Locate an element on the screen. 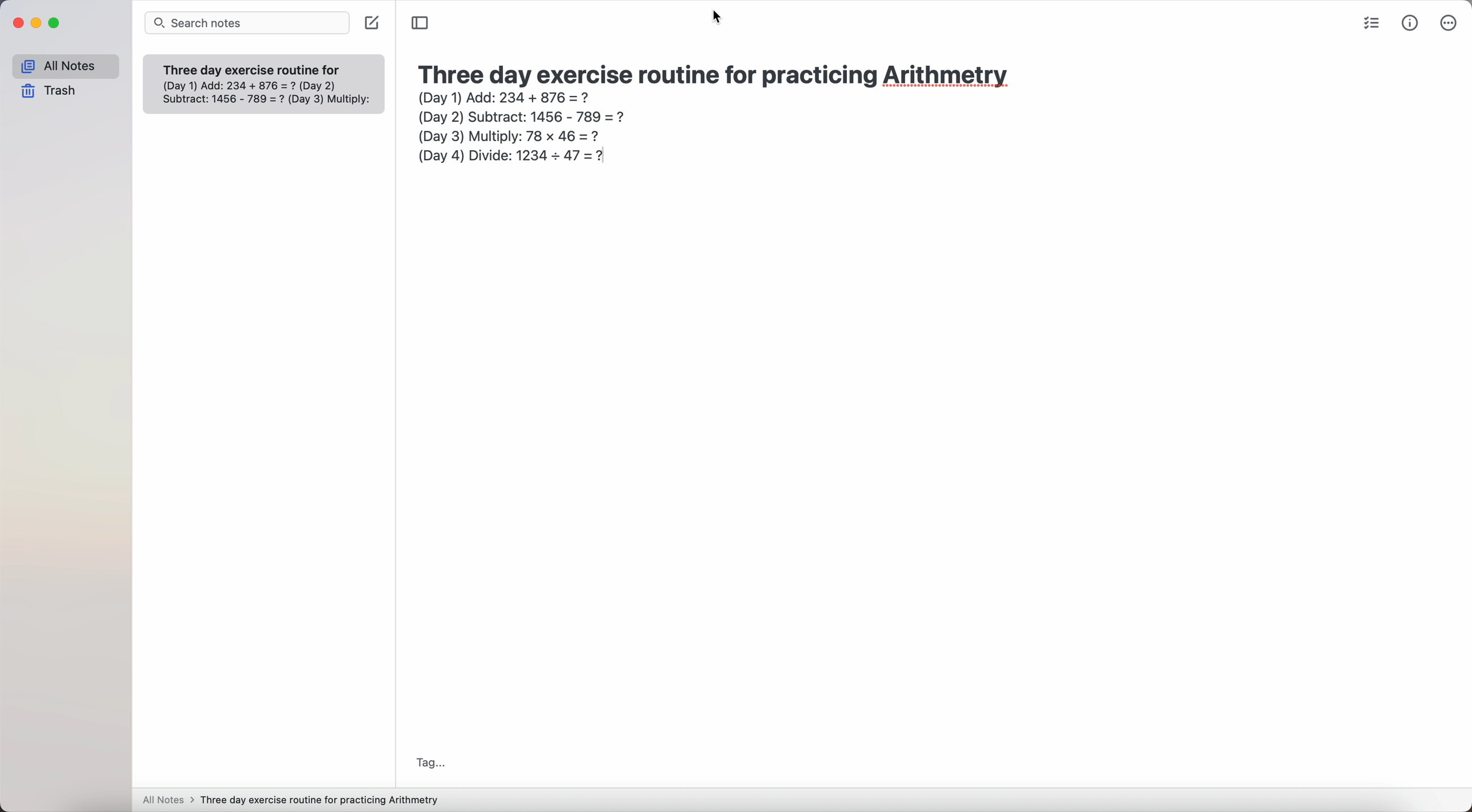  tag is located at coordinates (434, 763).